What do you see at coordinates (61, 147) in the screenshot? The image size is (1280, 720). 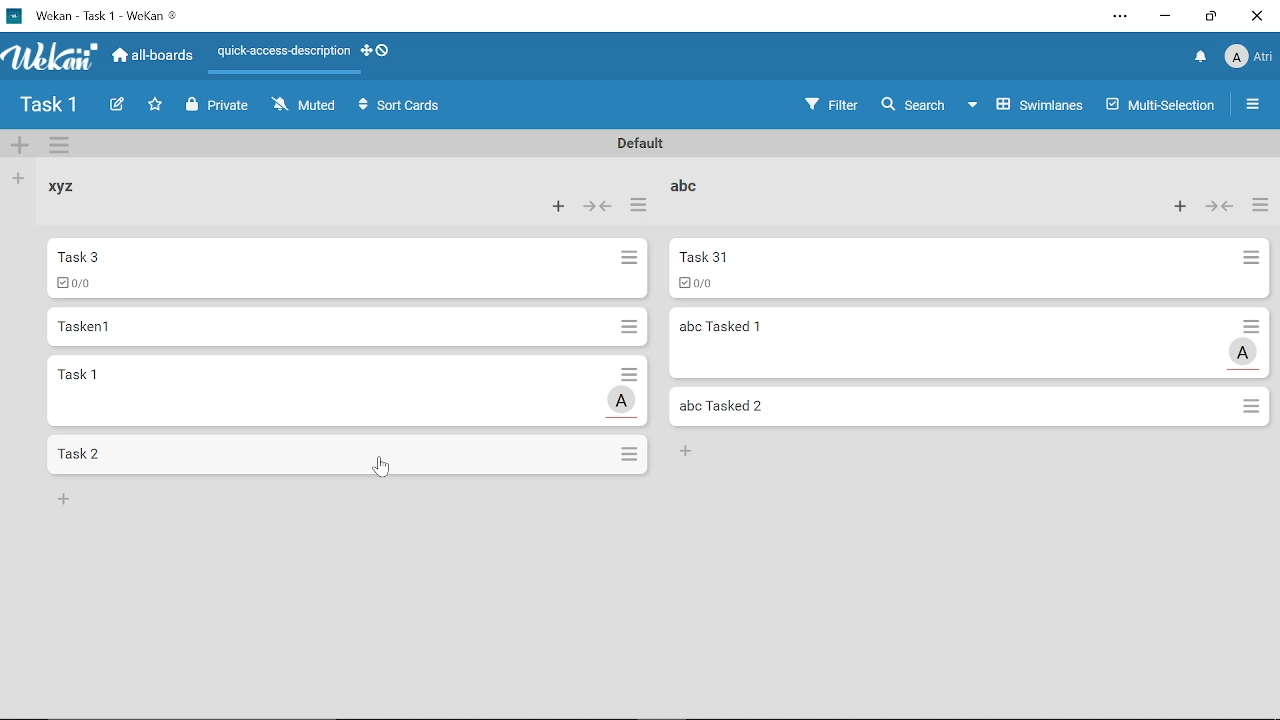 I see `Manage swimlane` at bounding box center [61, 147].